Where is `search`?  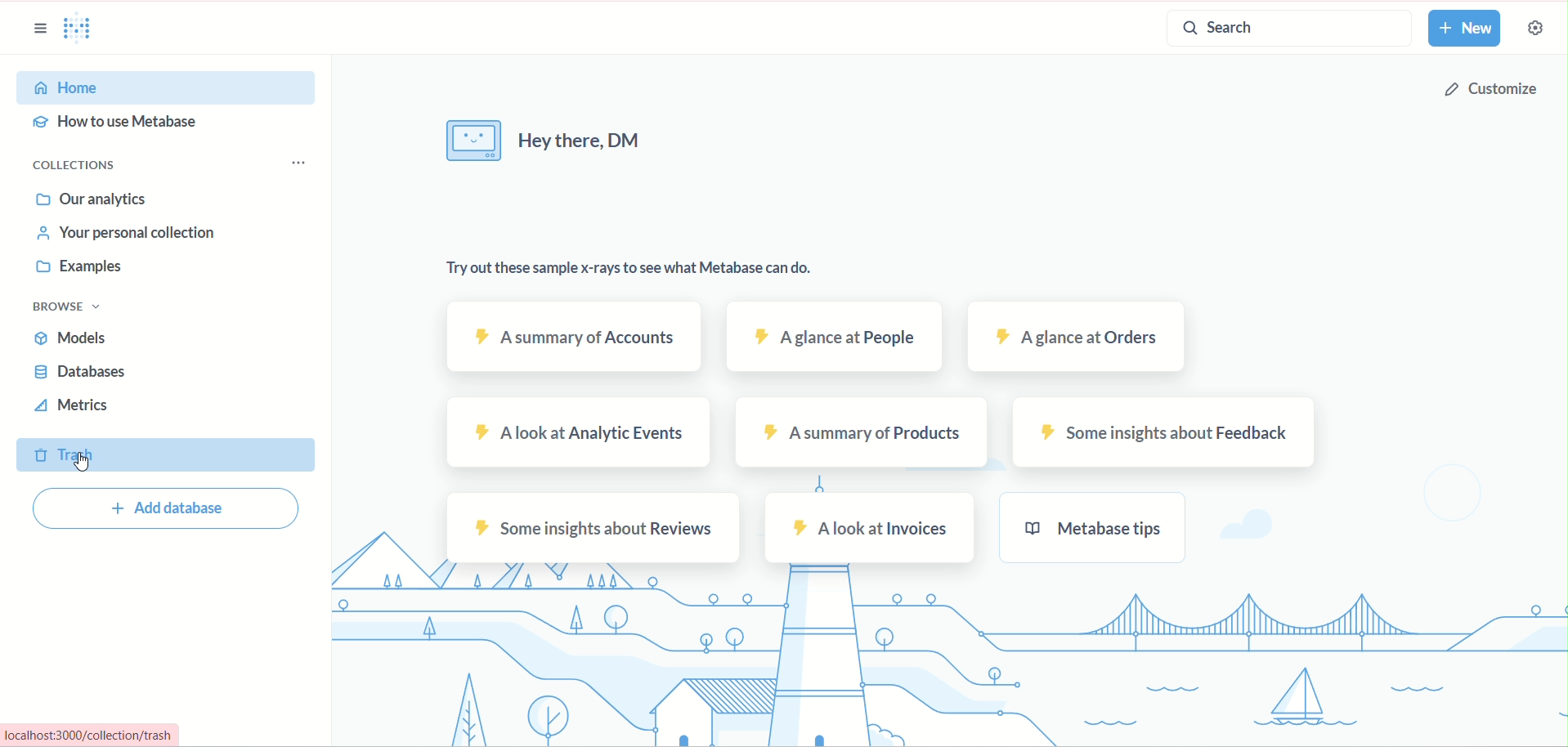
search is located at coordinates (1283, 28).